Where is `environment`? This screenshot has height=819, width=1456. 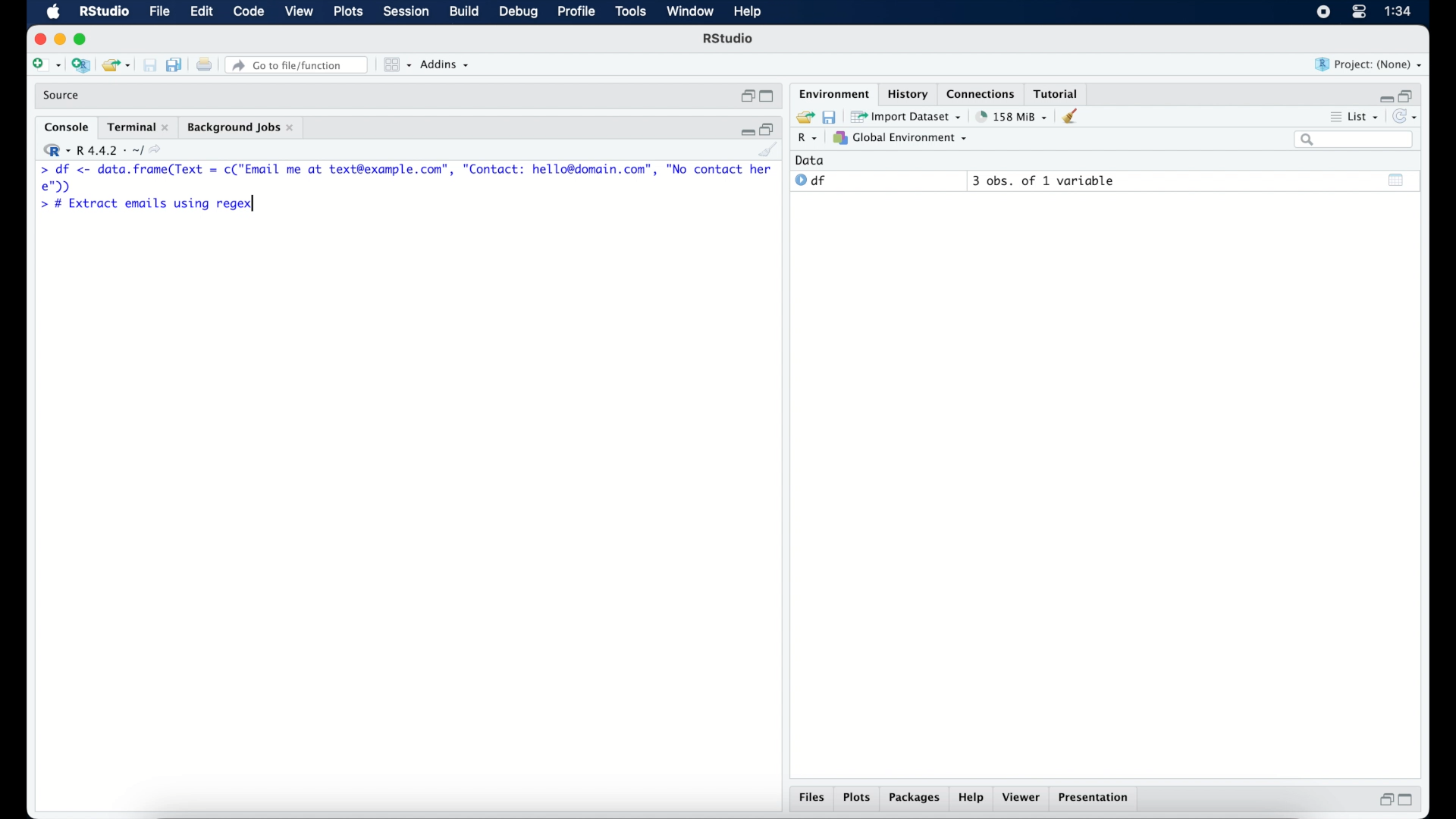
environment is located at coordinates (833, 93).